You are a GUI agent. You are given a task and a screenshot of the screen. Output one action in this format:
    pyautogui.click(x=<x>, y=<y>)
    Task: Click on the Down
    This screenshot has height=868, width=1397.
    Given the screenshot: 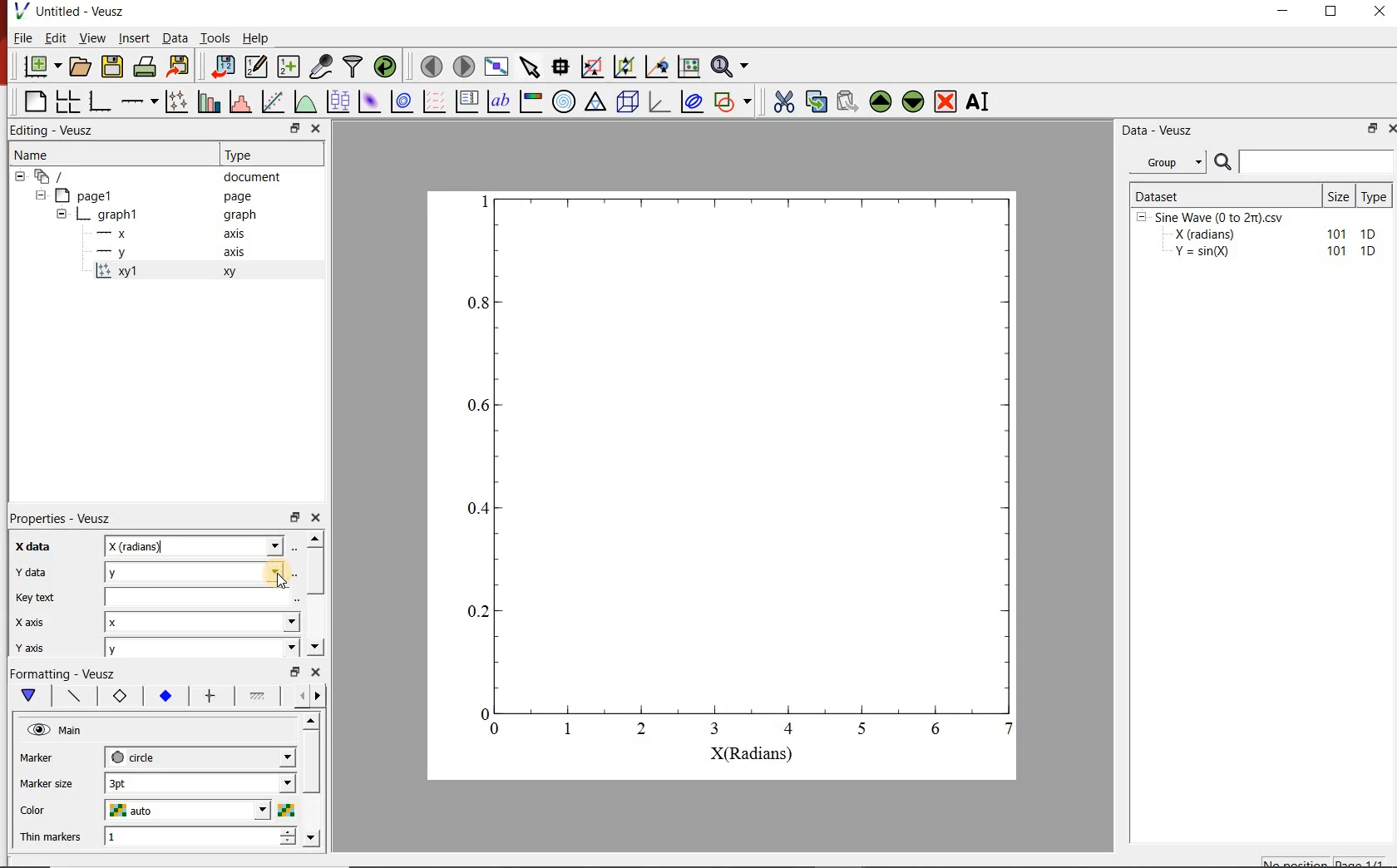 What is the action you would take?
    pyautogui.click(x=313, y=837)
    